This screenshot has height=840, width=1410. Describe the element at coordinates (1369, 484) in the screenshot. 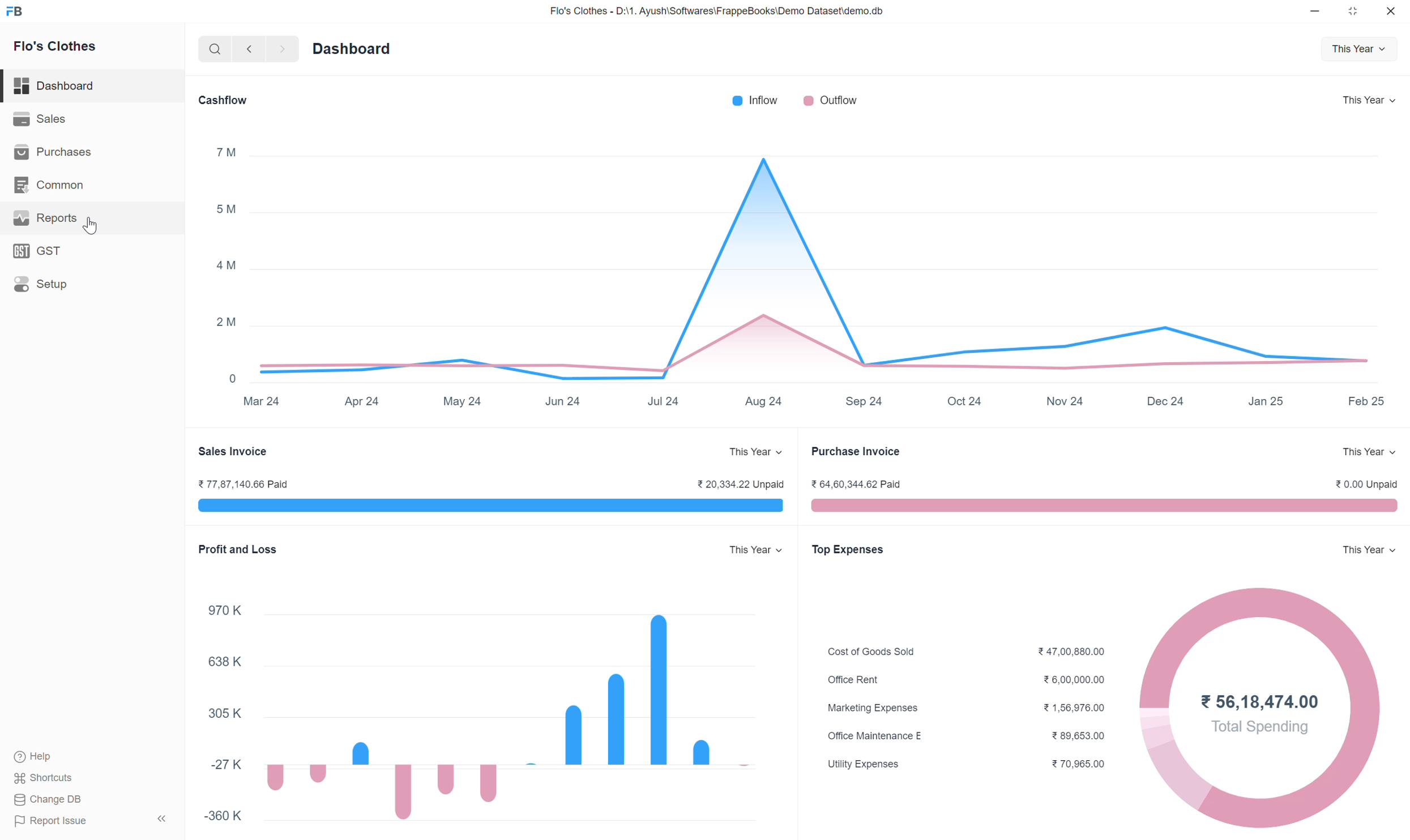

I see `₹ 0.00 Unpaid` at that location.